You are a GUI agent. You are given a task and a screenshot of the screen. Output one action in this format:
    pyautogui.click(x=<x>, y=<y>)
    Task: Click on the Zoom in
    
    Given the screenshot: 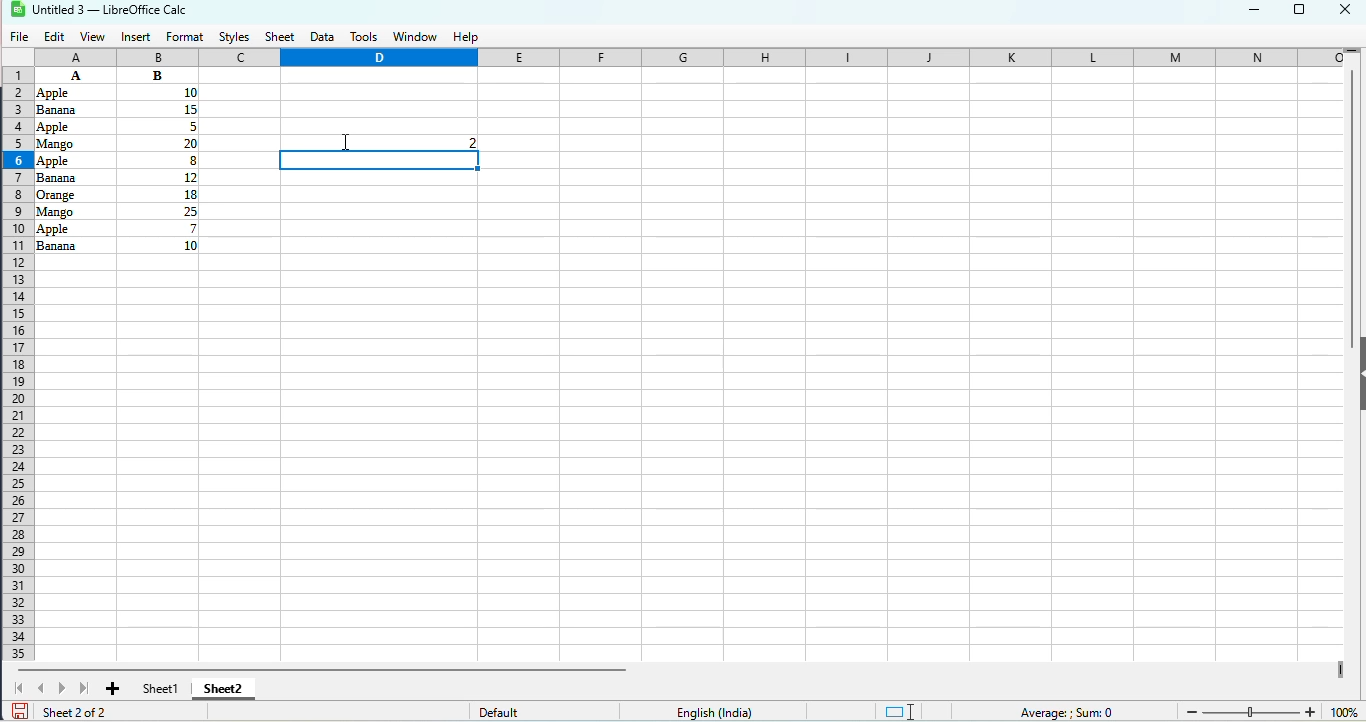 What is the action you would take?
    pyautogui.click(x=1309, y=710)
    